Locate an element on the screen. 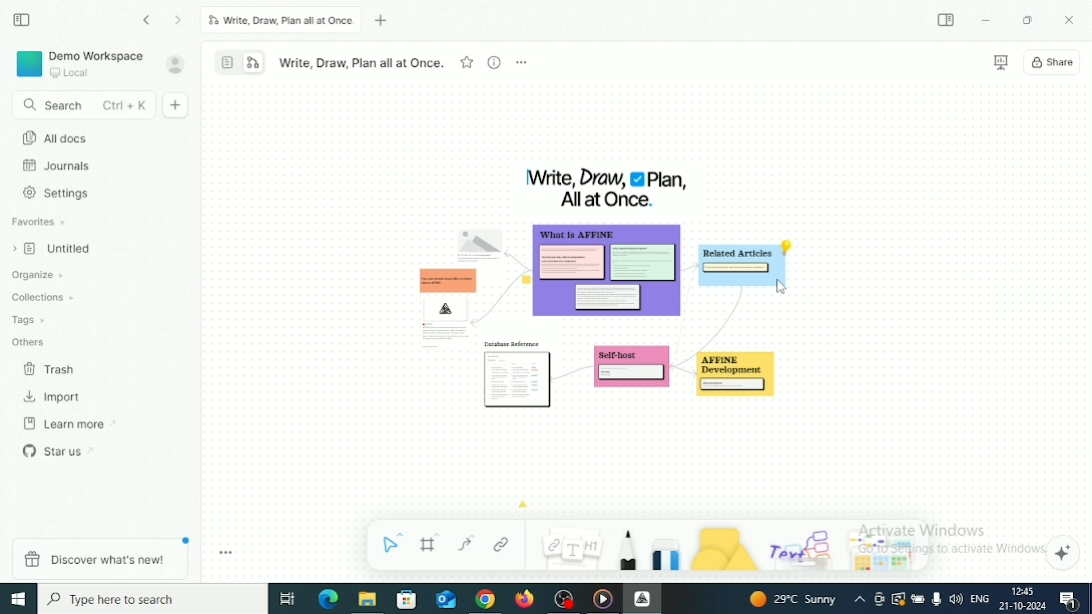 The image size is (1092, 614). Time is located at coordinates (1026, 591).